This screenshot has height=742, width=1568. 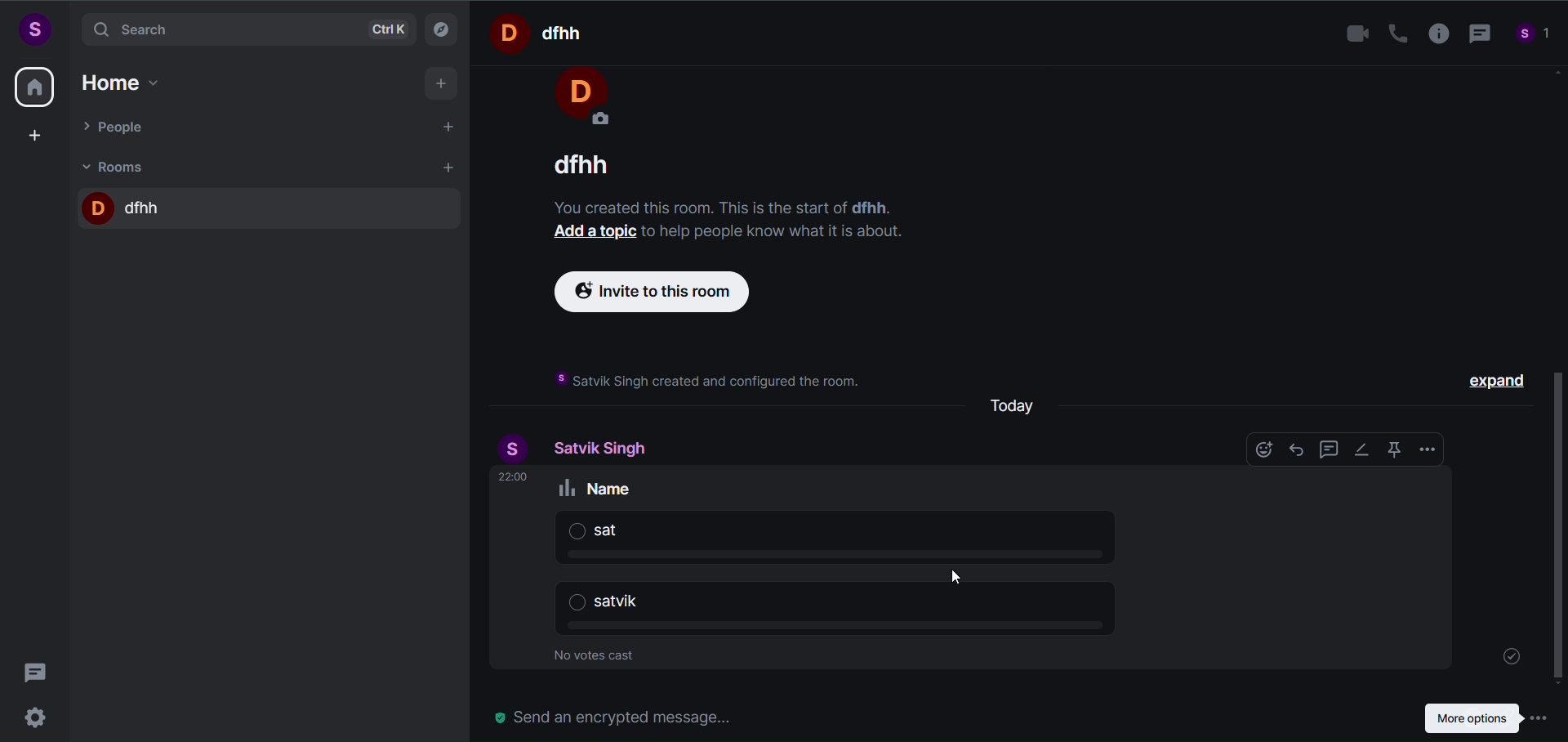 What do you see at coordinates (717, 181) in the screenshot?
I see `Chat details` at bounding box center [717, 181].